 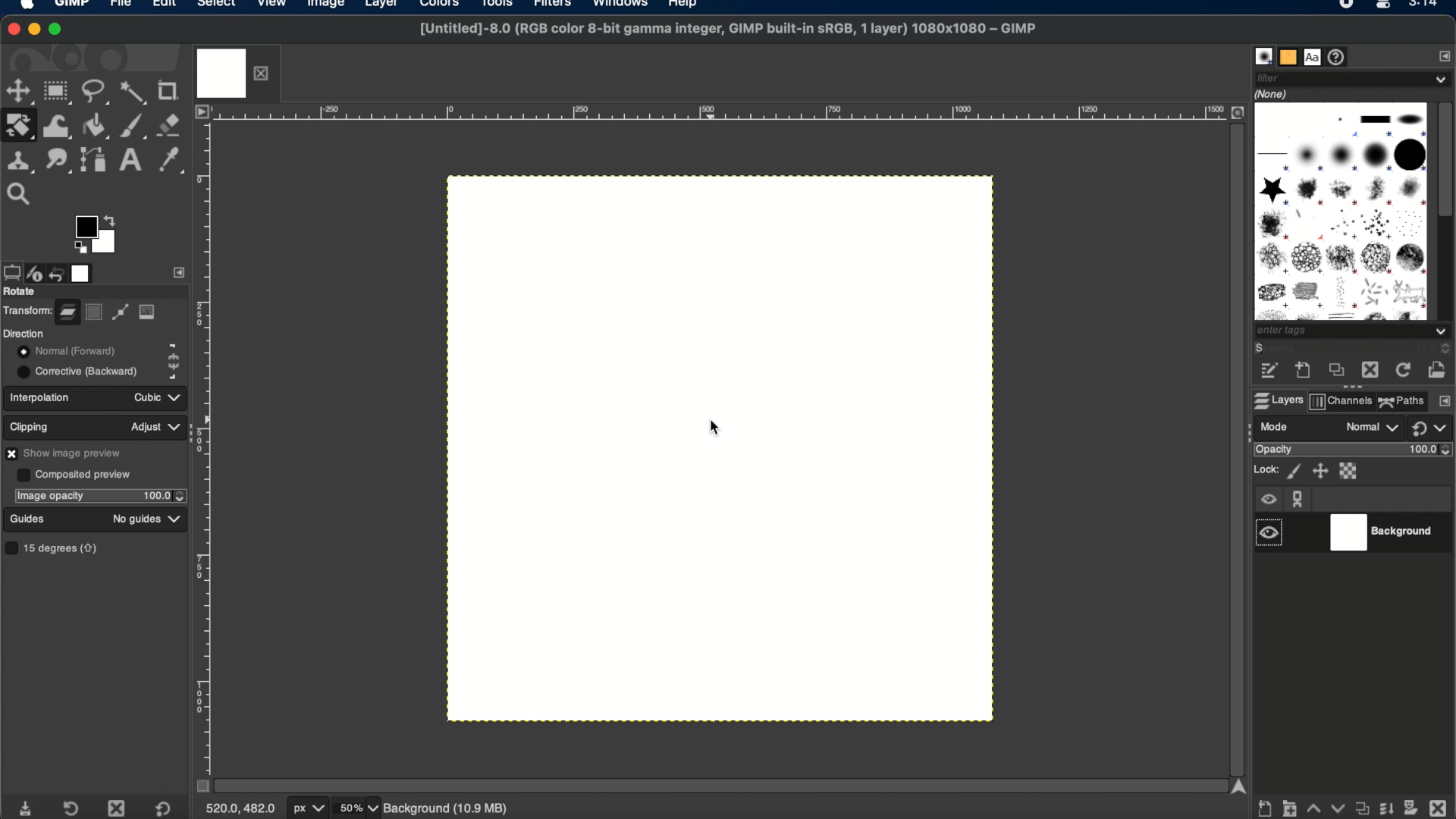 I want to click on channels, so click(x=1341, y=403).